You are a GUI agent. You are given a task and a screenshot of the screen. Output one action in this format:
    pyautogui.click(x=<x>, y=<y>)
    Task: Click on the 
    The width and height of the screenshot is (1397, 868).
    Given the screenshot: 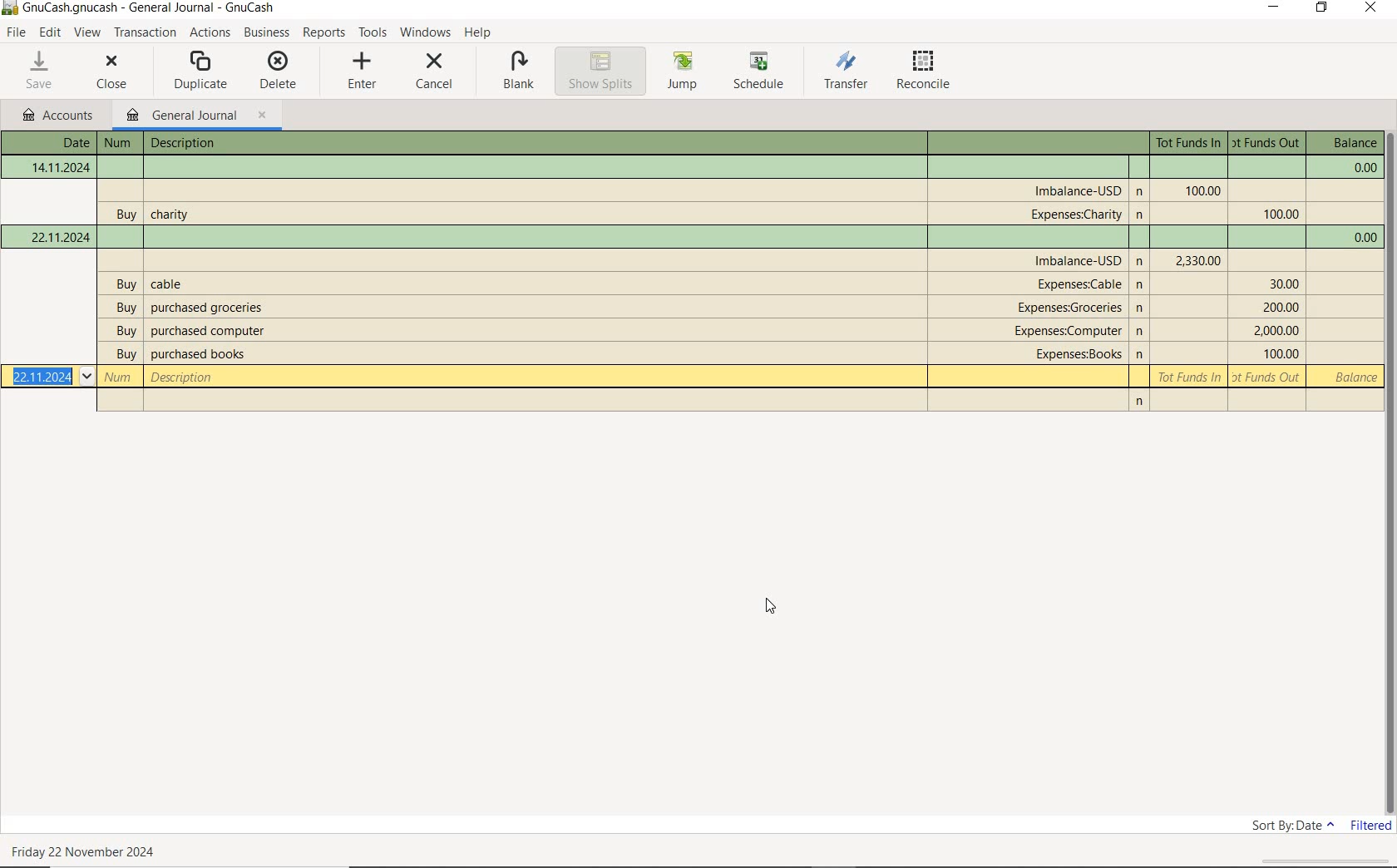 What is the action you would take?
    pyautogui.click(x=1142, y=263)
    